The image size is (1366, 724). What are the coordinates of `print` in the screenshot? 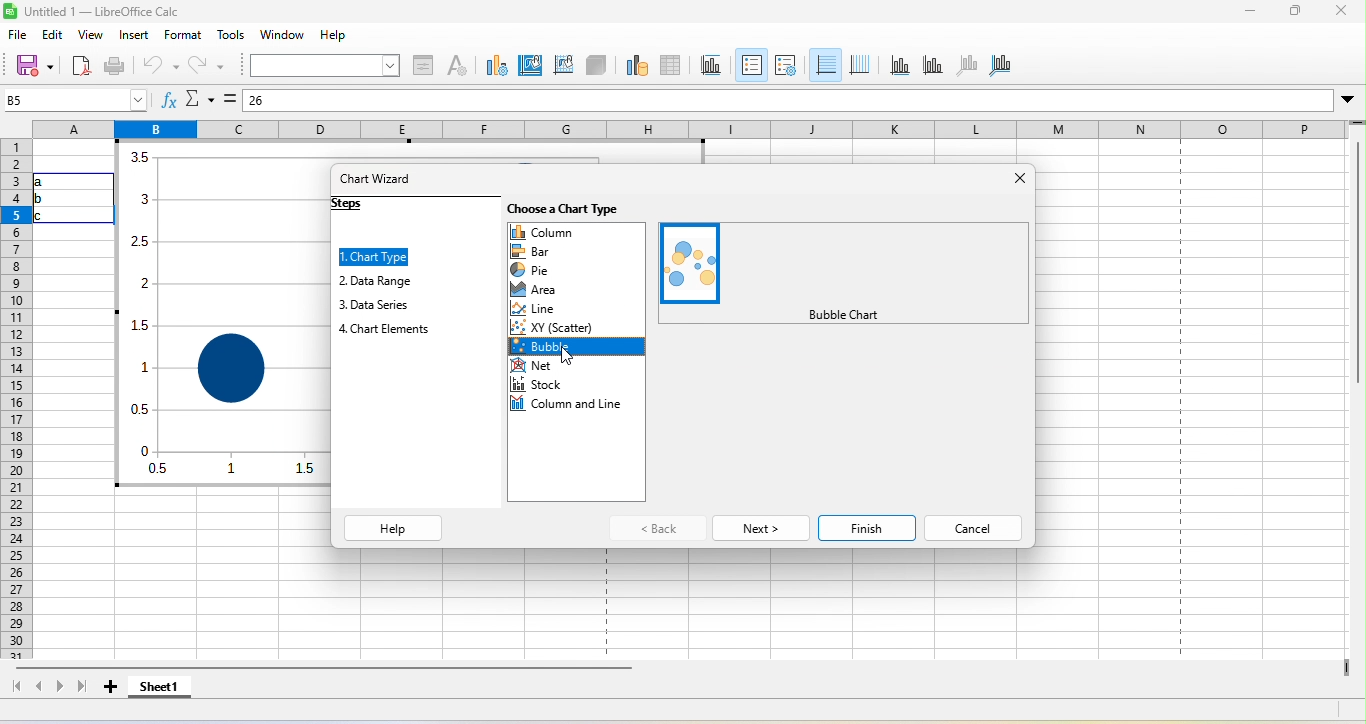 It's located at (114, 66).